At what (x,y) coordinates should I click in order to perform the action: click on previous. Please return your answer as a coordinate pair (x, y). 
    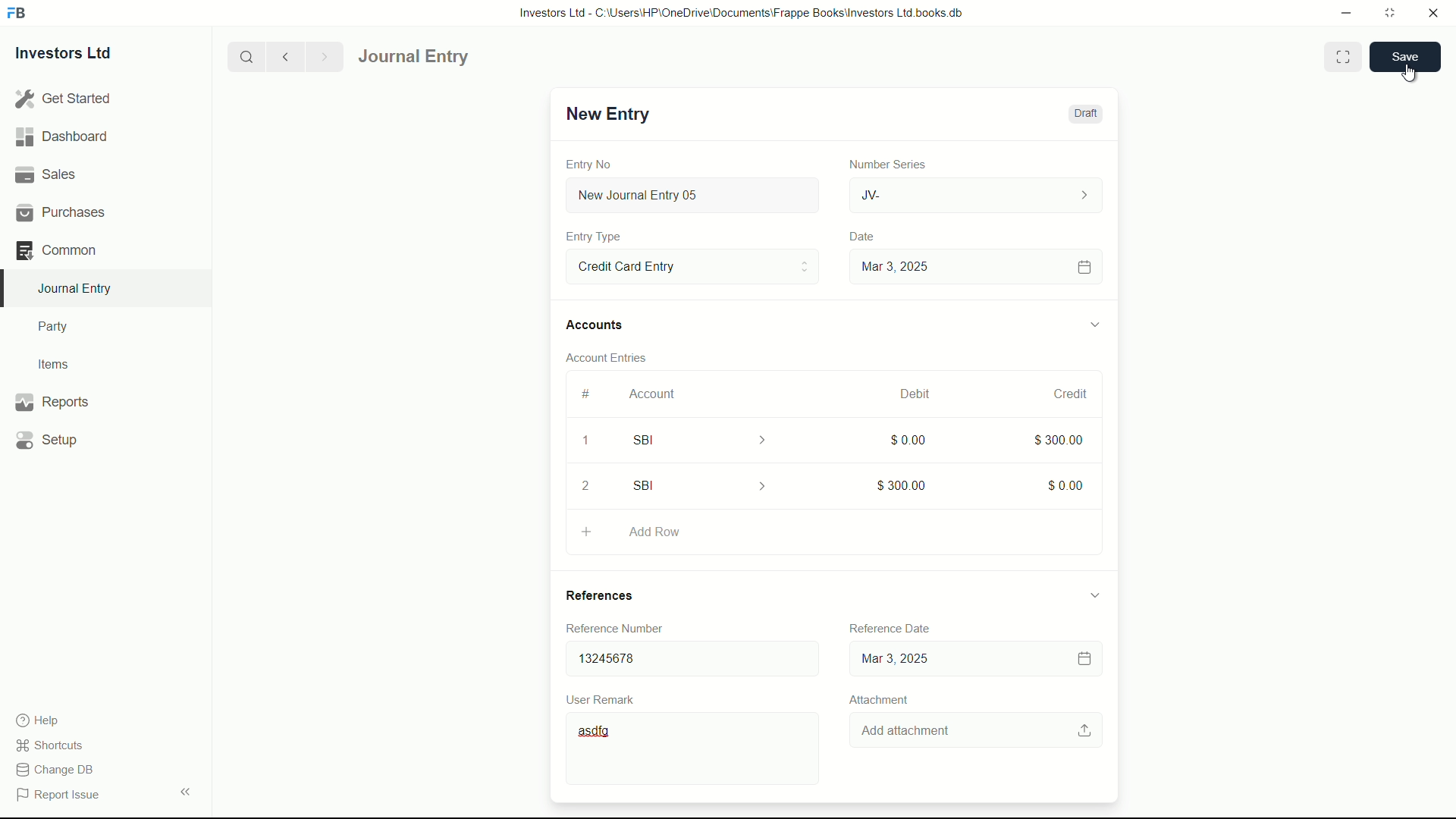
    Looking at the image, I should click on (284, 56).